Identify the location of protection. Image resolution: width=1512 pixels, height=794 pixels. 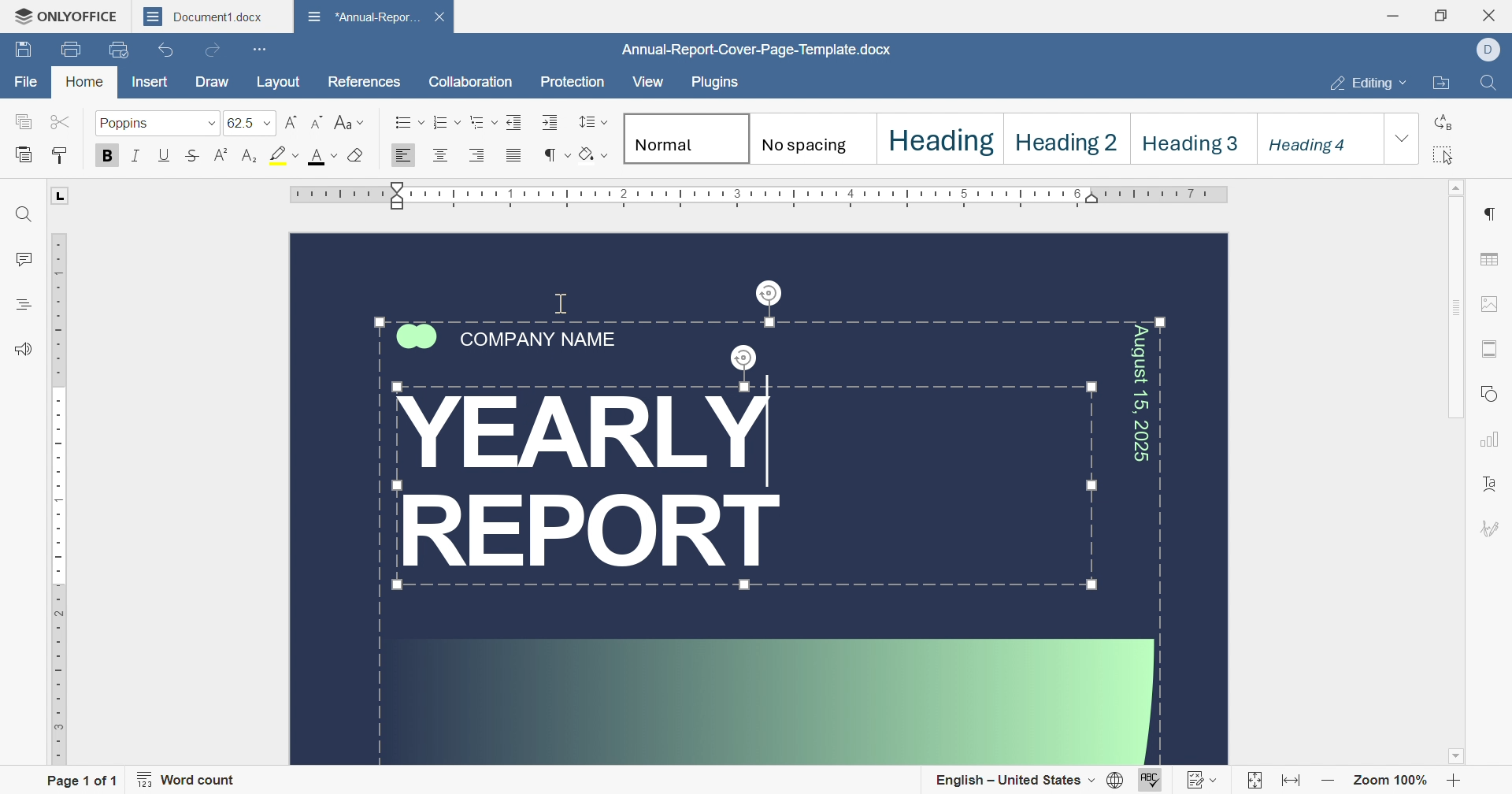
(571, 86).